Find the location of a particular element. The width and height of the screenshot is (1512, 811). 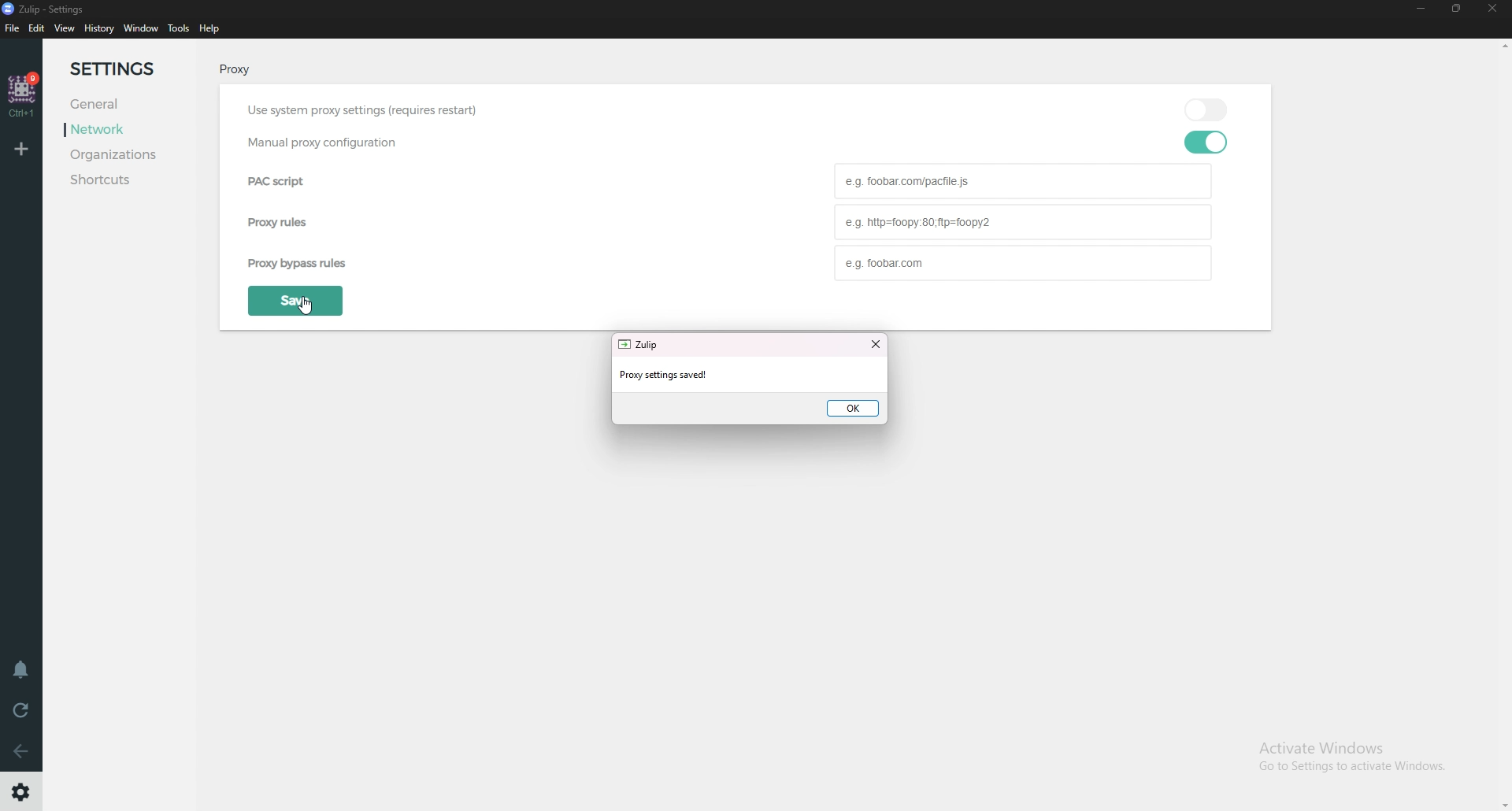

Proxy rules is located at coordinates (1022, 222).